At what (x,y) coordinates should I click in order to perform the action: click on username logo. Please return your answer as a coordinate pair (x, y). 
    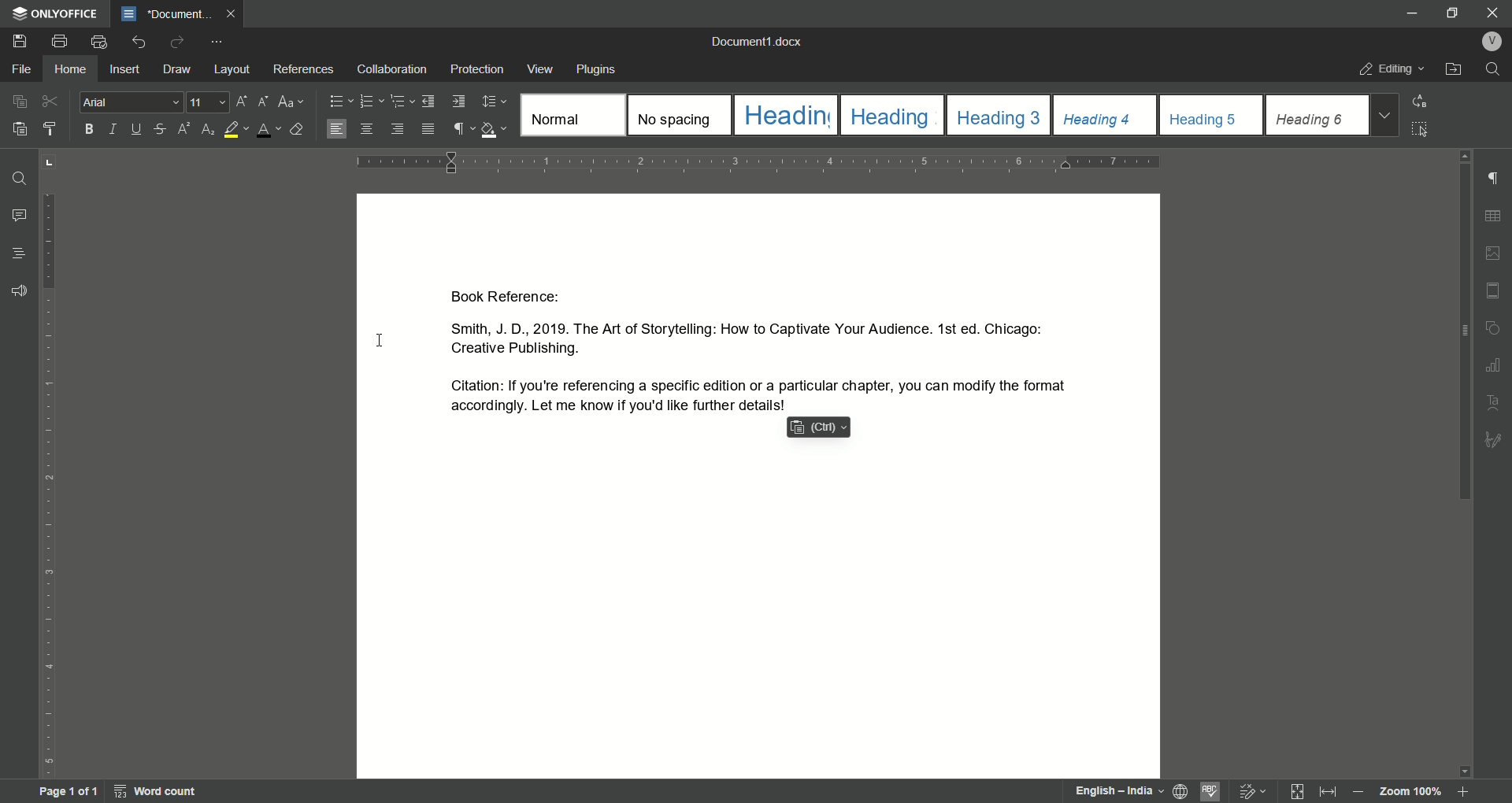
    Looking at the image, I should click on (1492, 41).